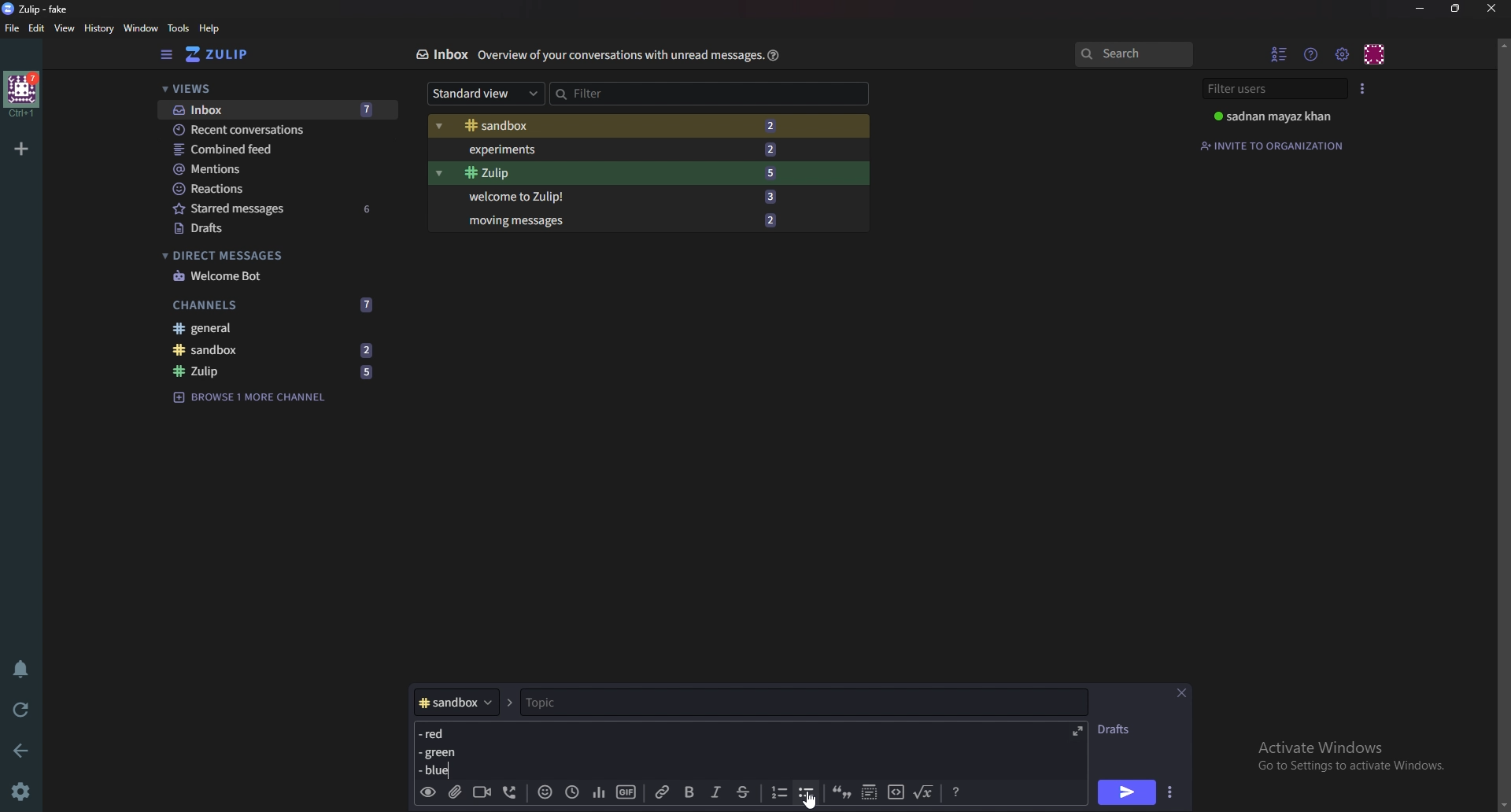 This screenshot has height=812, width=1511. Describe the element at coordinates (210, 28) in the screenshot. I see `help` at that location.